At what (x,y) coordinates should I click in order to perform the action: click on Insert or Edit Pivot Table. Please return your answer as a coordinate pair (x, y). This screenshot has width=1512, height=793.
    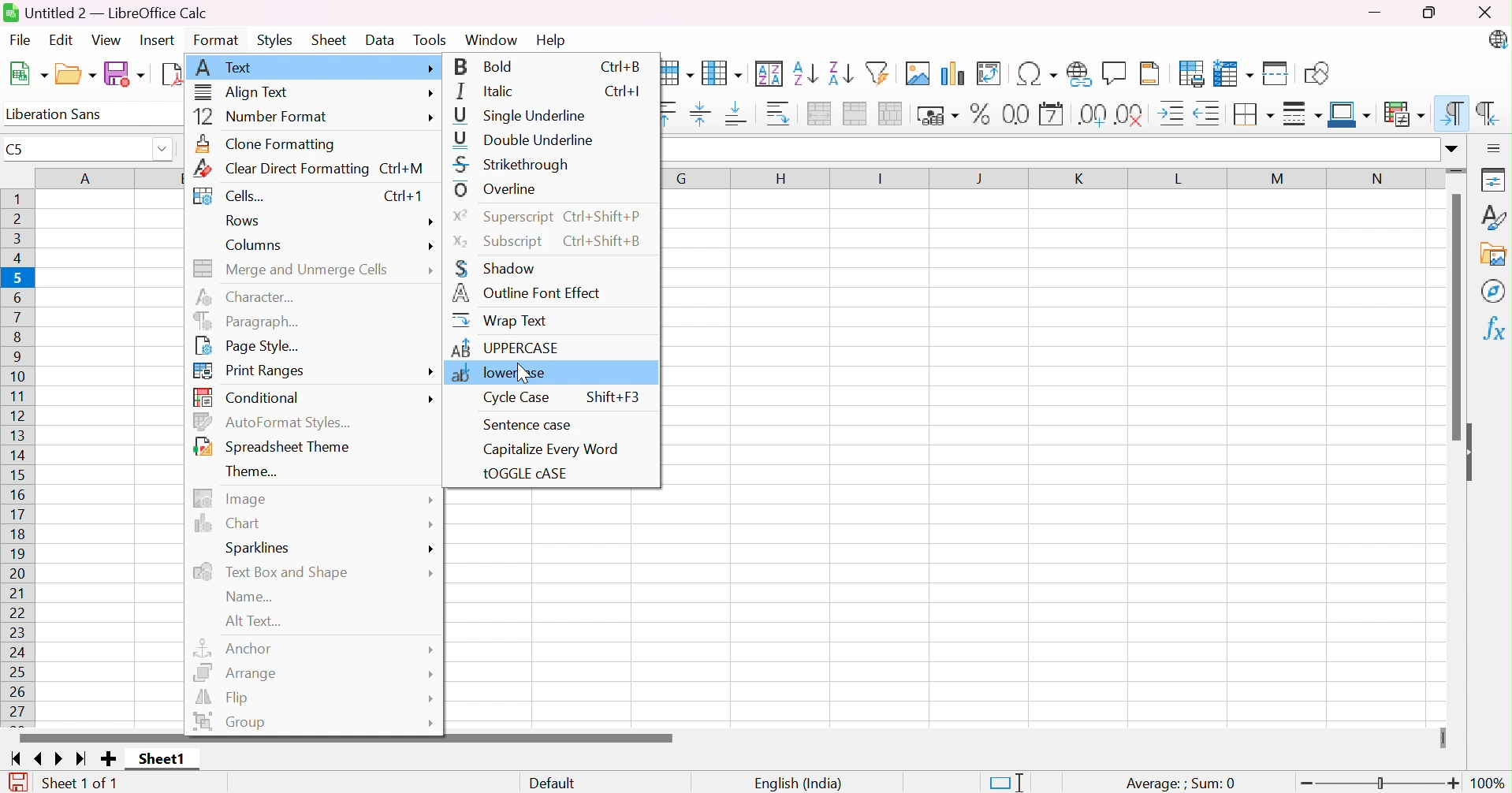
    Looking at the image, I should click on (995, 73).